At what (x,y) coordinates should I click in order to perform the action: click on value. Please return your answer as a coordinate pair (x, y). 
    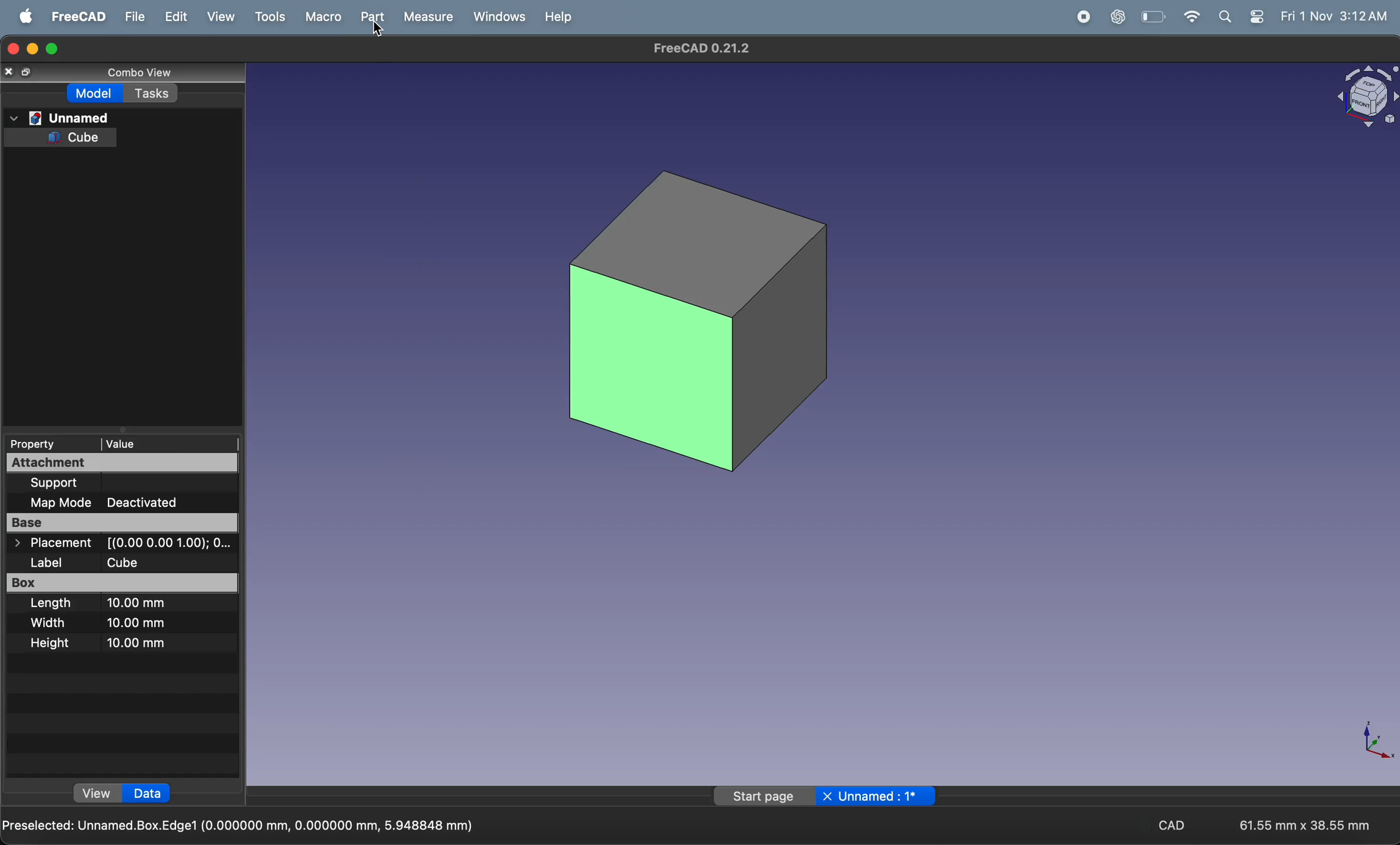
    Looking at the image, I should click on (162, 445).